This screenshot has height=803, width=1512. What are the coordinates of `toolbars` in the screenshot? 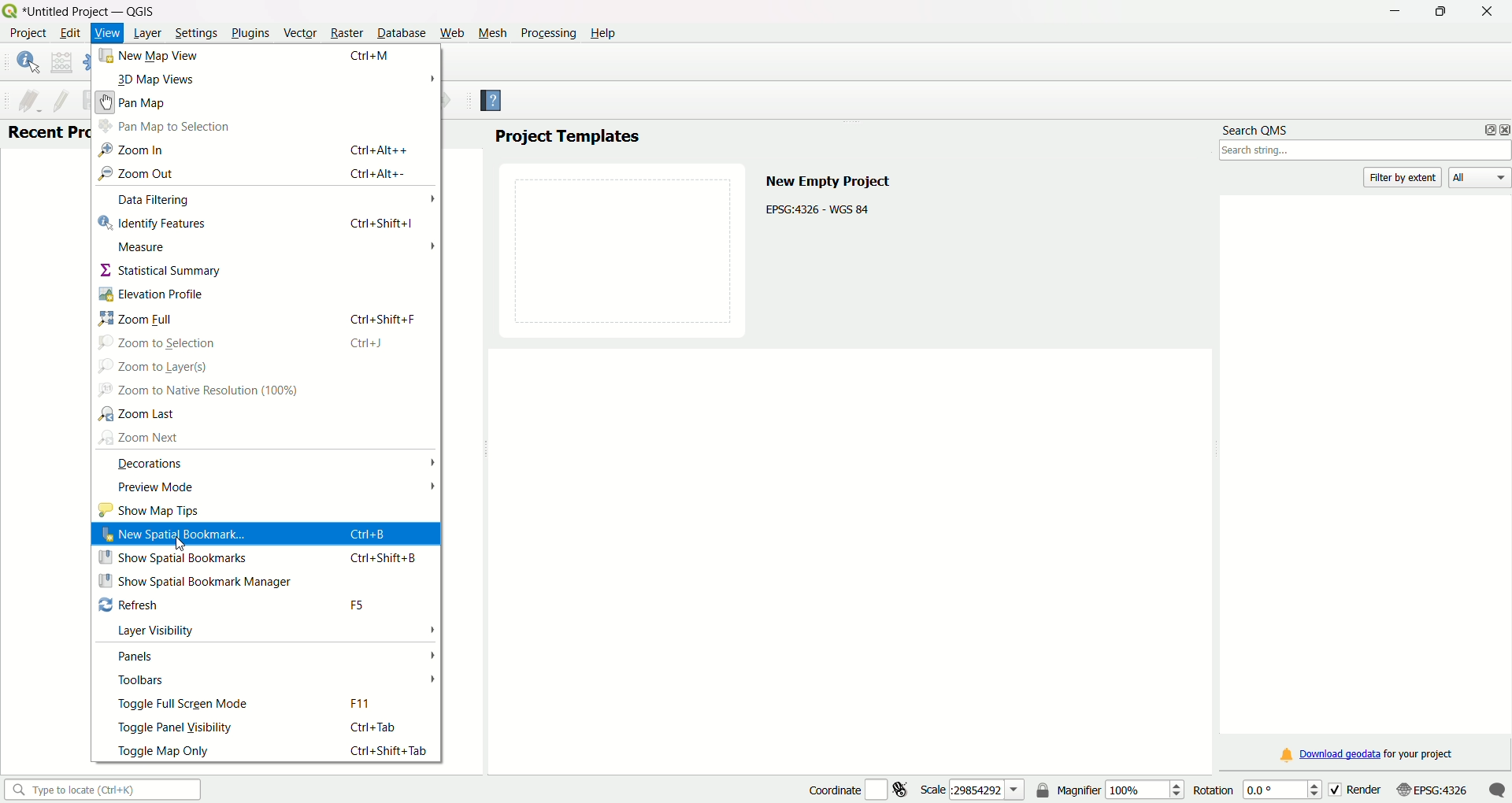 It's located at (142, 681).